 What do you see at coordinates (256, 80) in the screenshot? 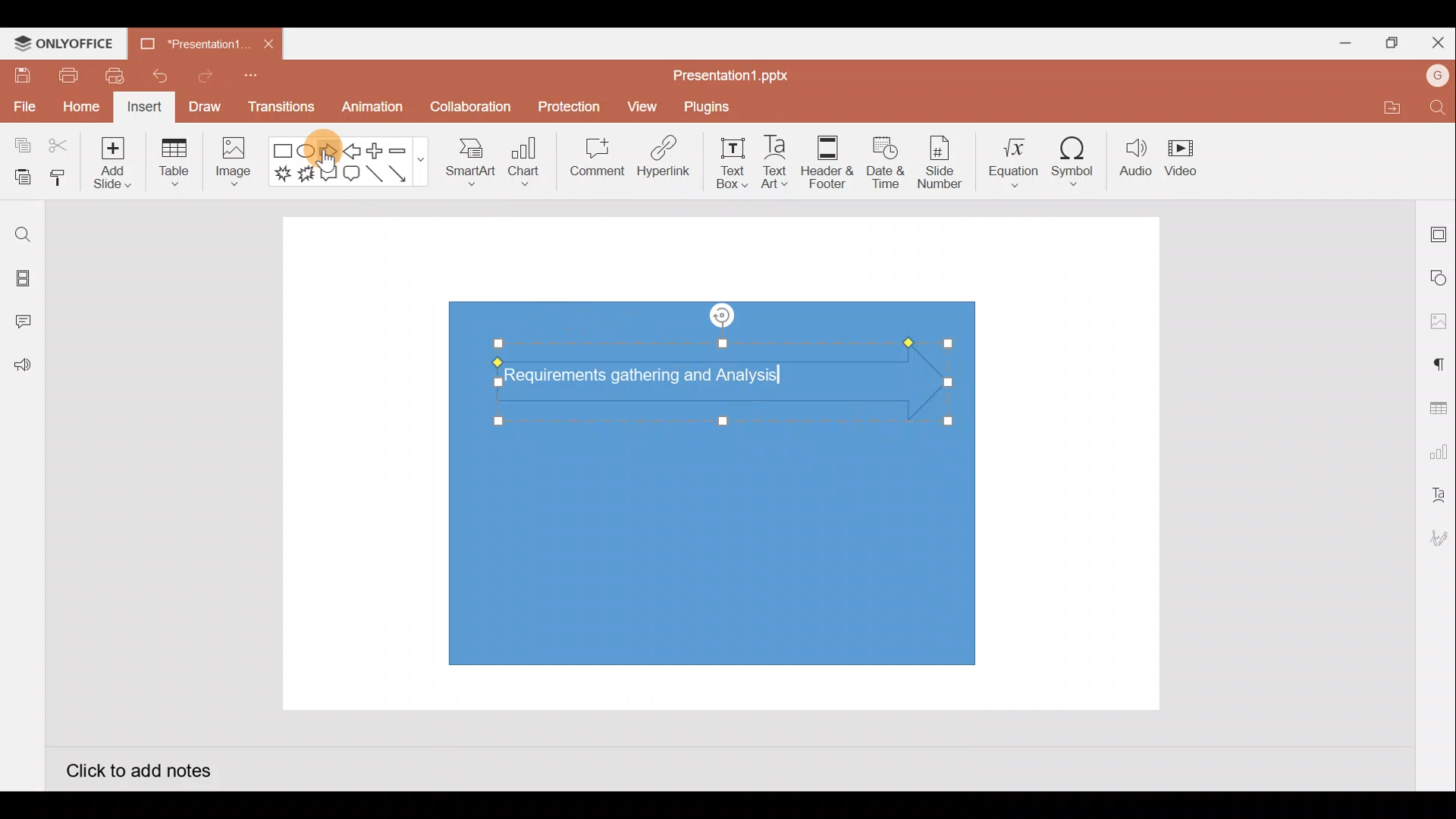
I see `Customize quick access toolbar` at bounding box center [256, 80].